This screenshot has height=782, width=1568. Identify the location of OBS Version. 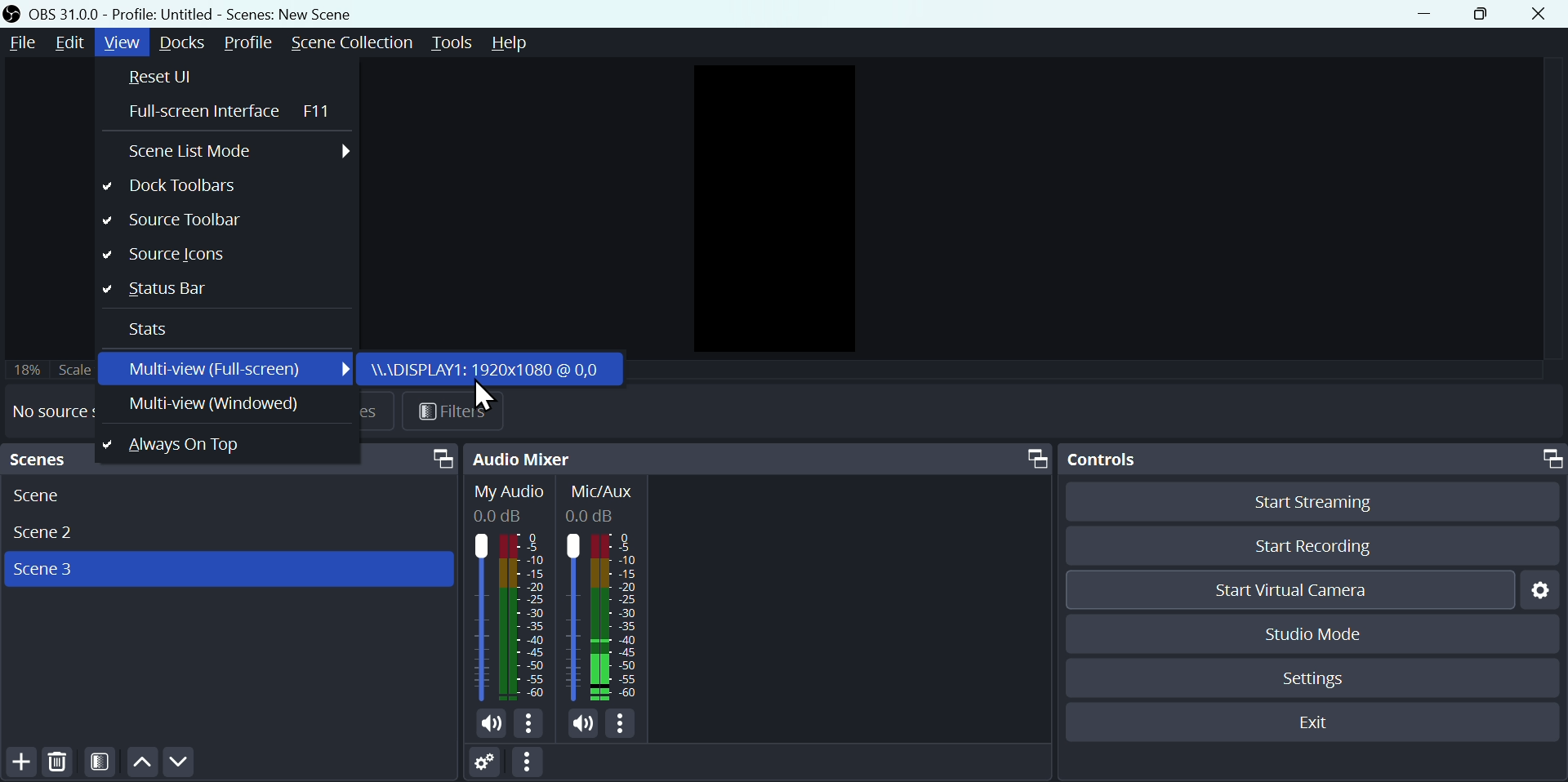
(65, 15).